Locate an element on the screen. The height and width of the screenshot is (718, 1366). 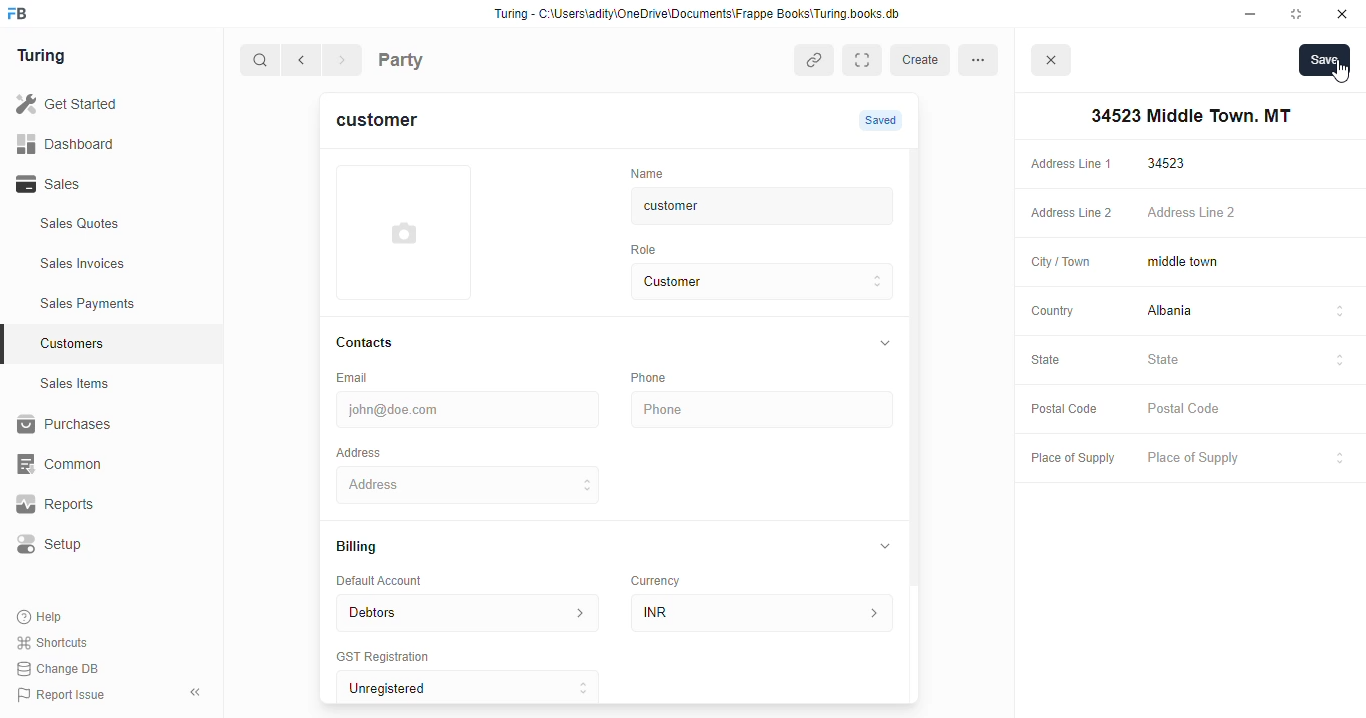
Unregistered is located at coordinates (477, 688).